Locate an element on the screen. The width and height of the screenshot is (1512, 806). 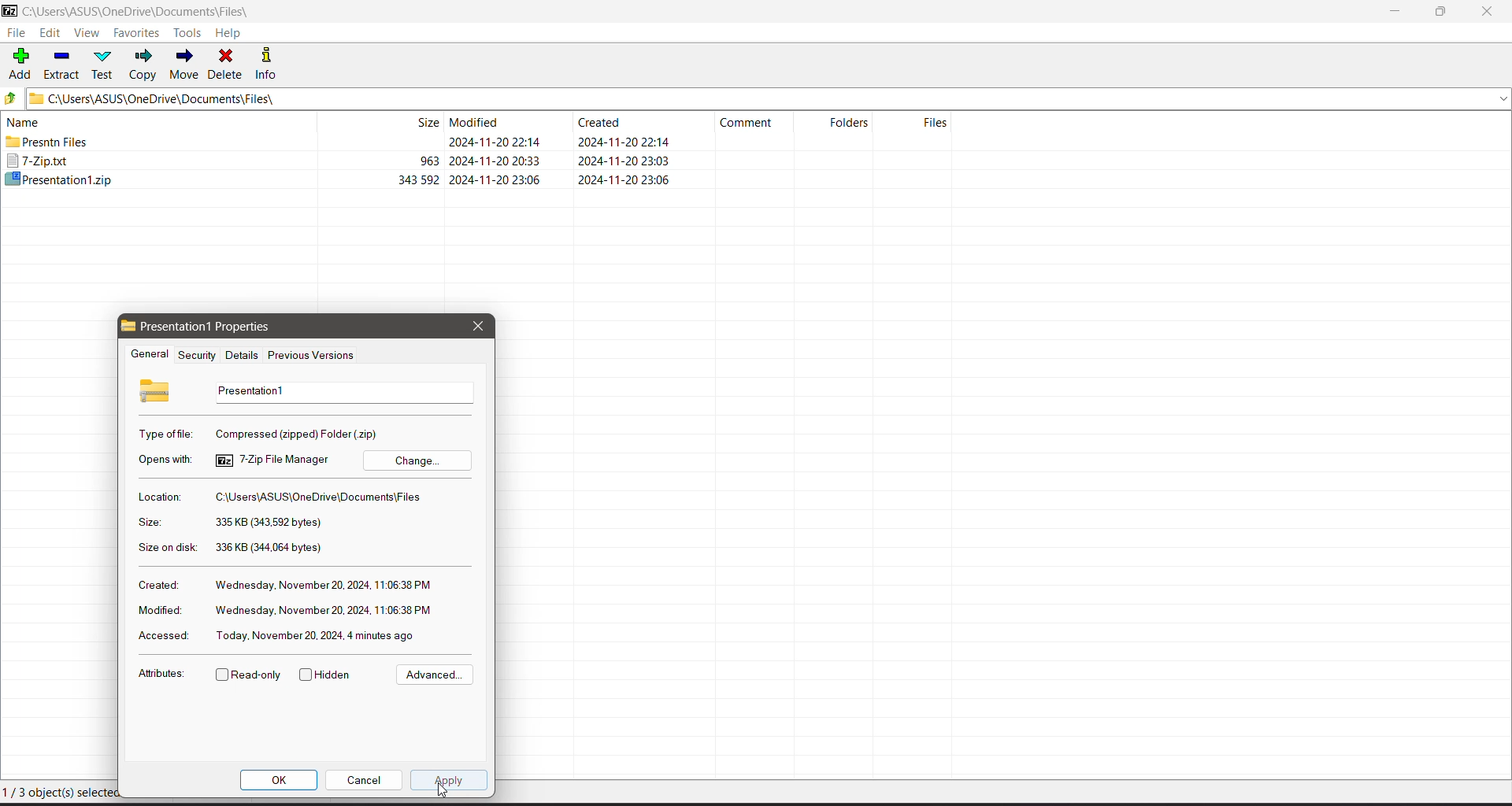
Read-only - Click to enable/disable is located at coordinates (249, 676).